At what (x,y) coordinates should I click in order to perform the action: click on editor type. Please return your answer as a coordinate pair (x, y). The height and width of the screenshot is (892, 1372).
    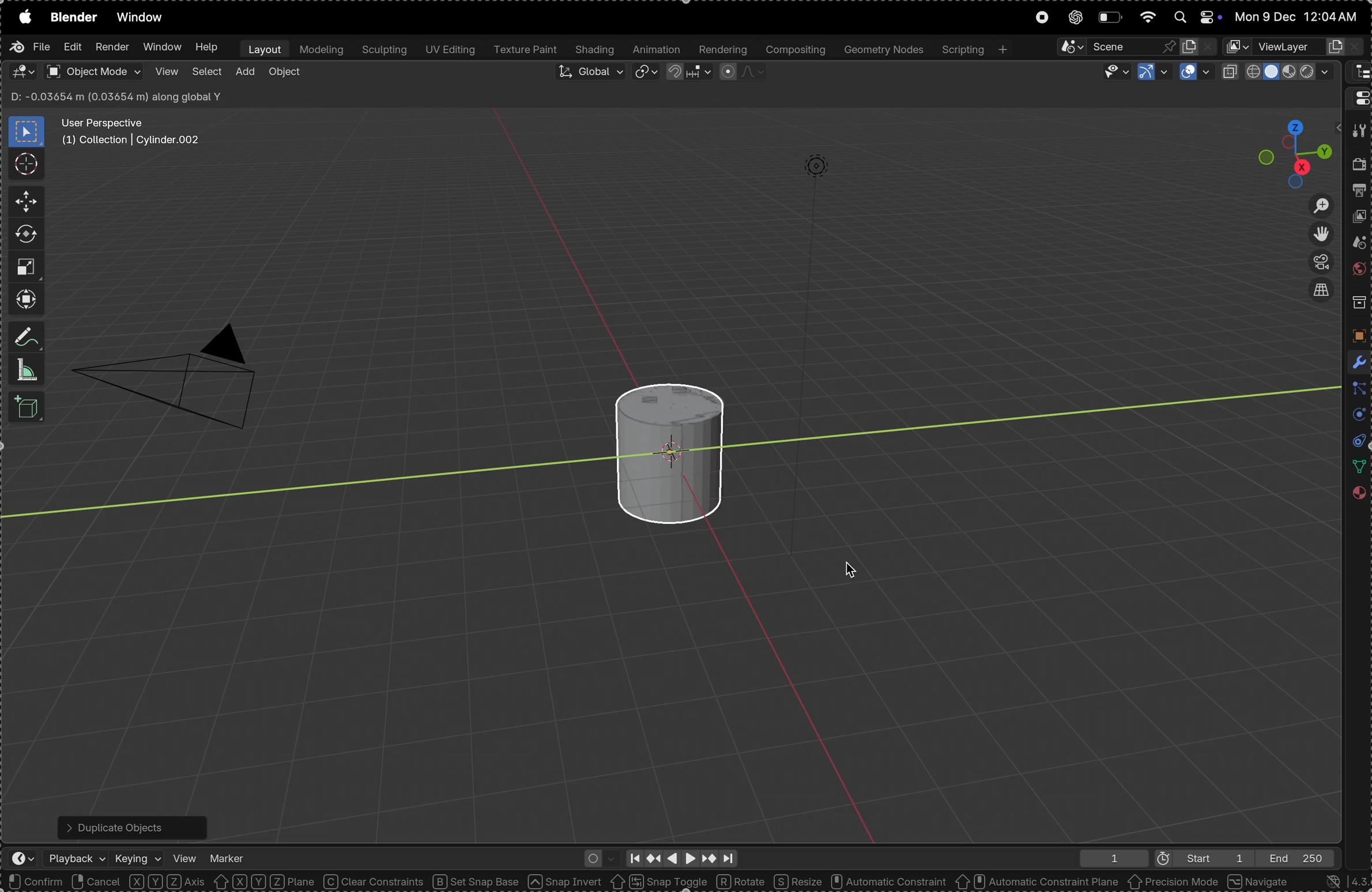
    Looking at the image, I should click on (22, 71).